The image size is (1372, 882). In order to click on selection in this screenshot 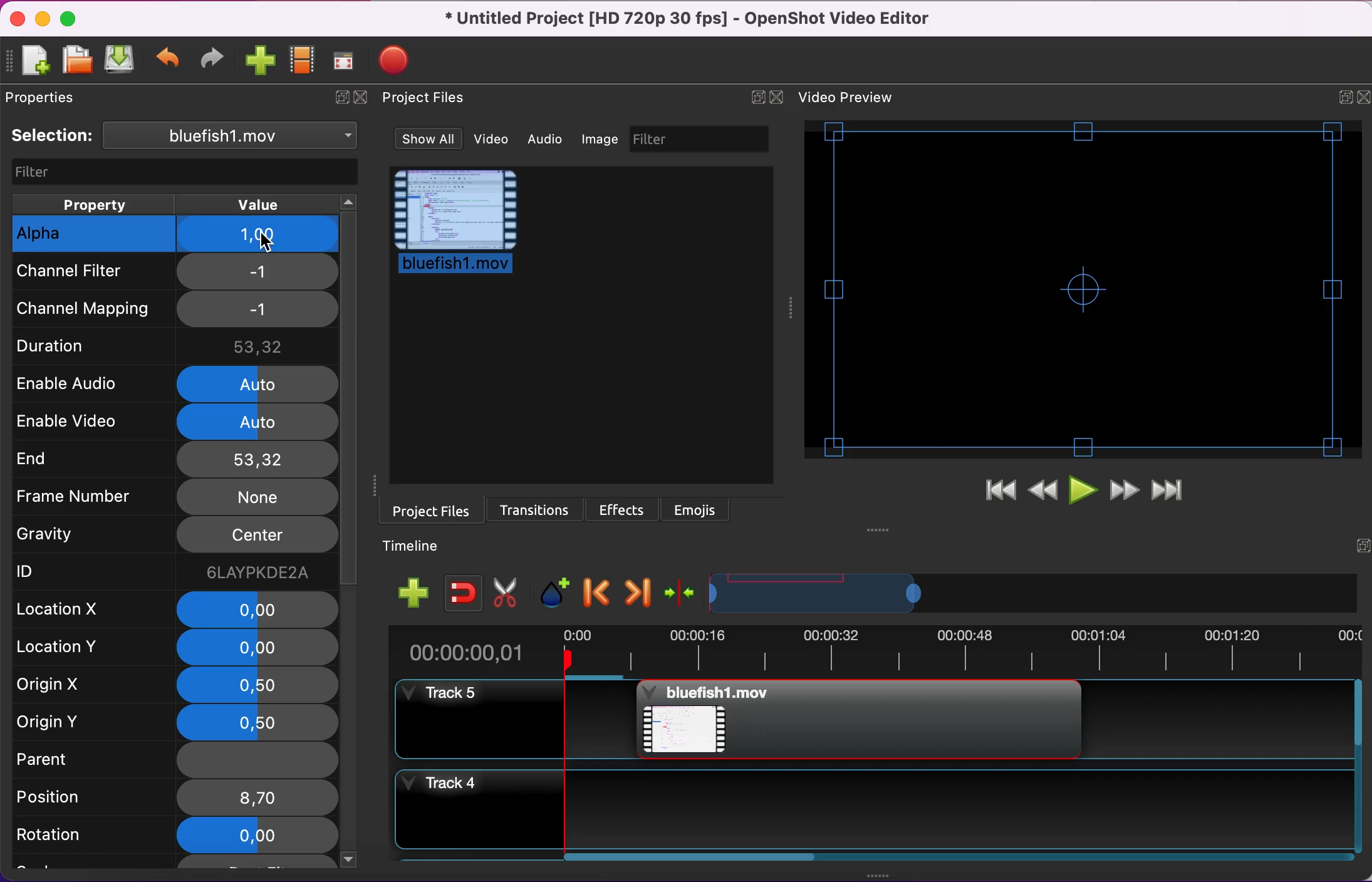, I will do `click(186, 137)`.